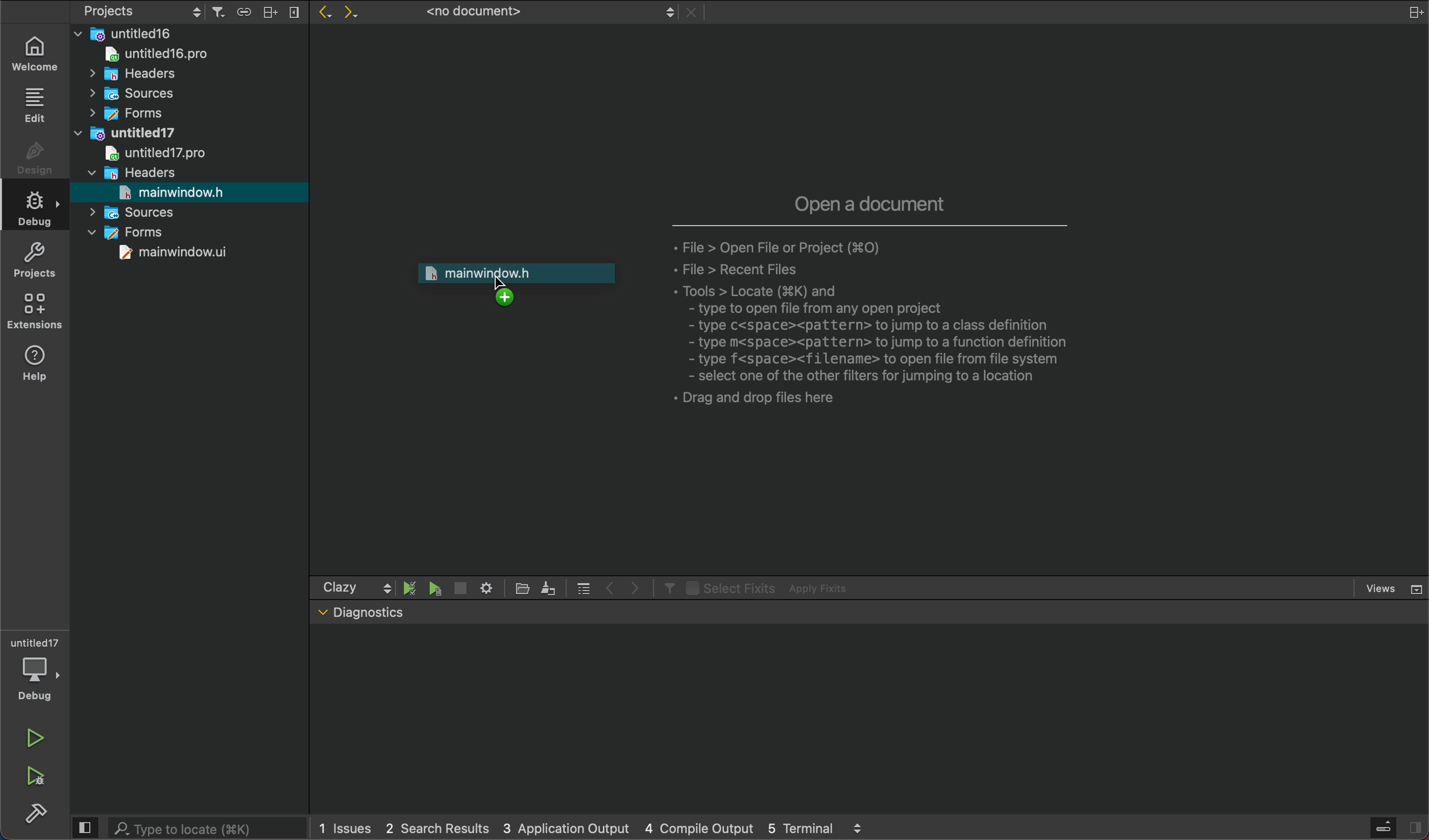  Describe the element at coordinates (872, 720) in the screenshot. I see `terminal` at that location.